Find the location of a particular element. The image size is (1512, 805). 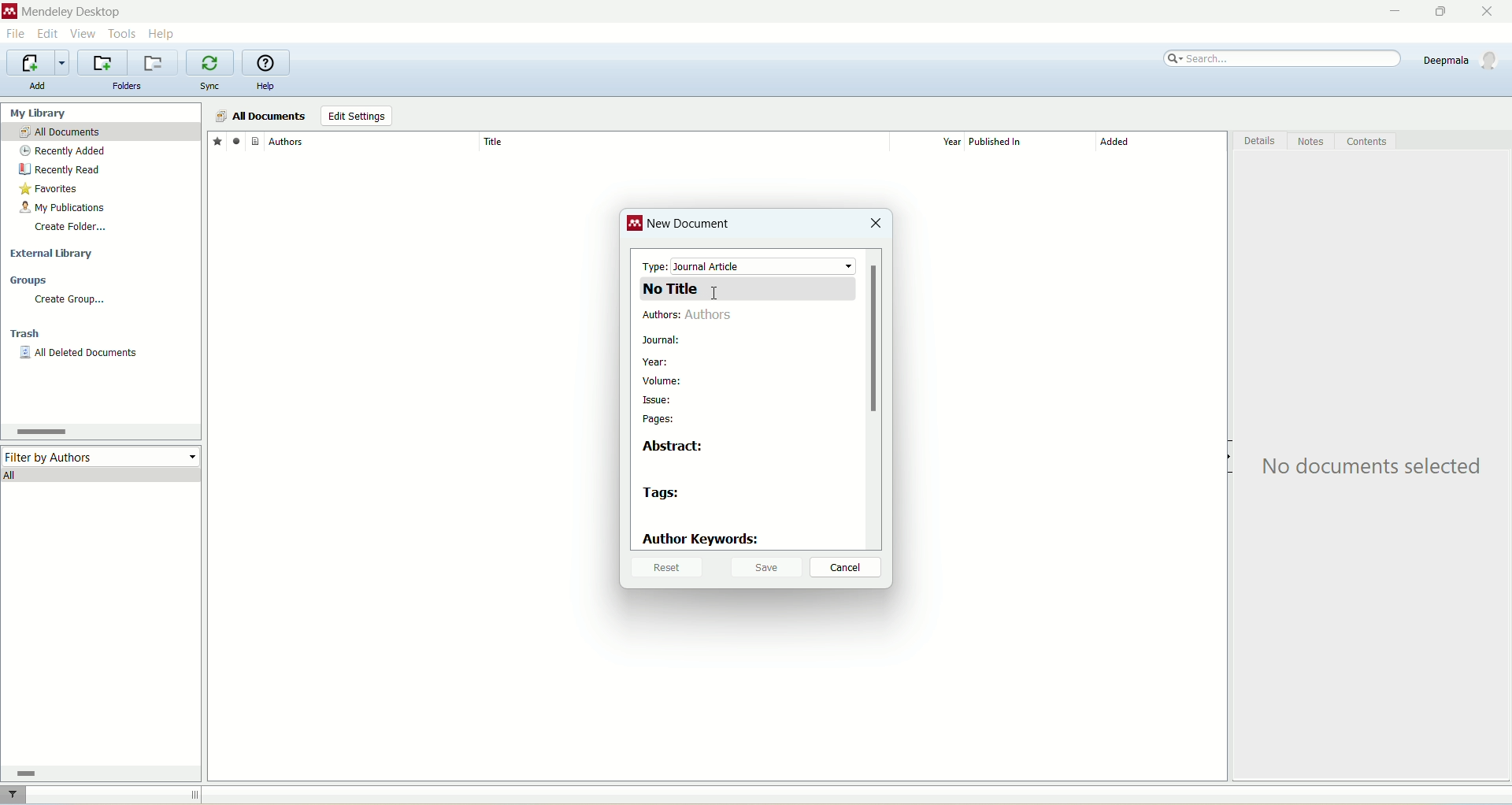

favorites is located at coordinates (50, 191).